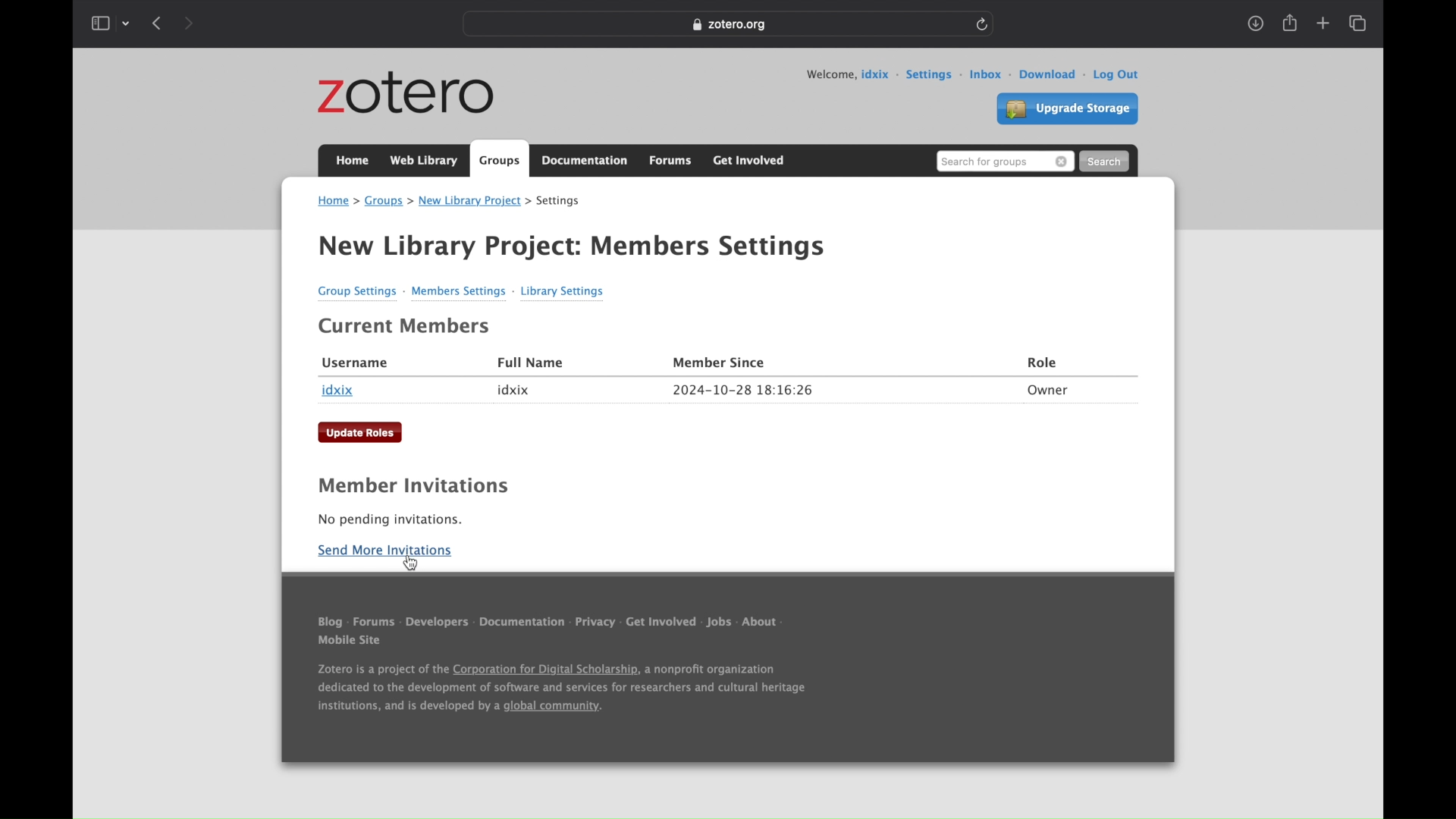 Image resolution: width=1456 pixels, height=819 pixels. I want to click on welcome, so click(830, 74).